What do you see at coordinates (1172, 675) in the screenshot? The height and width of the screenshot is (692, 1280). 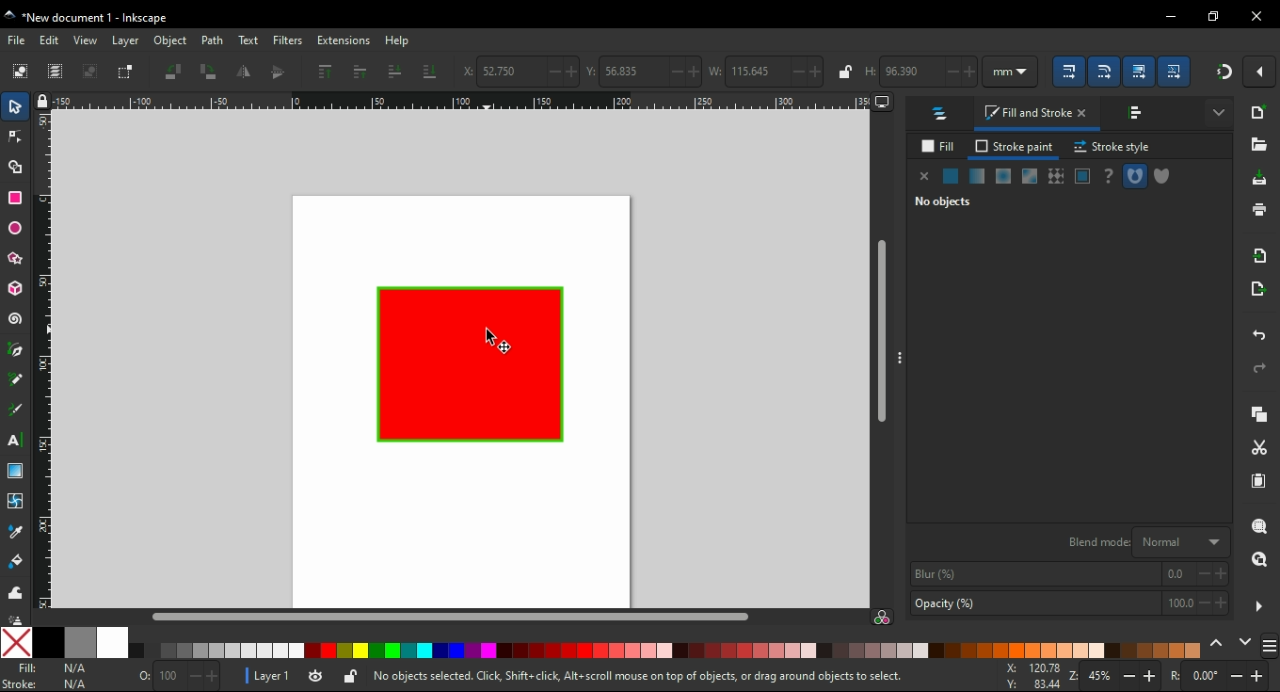 I see `rotation` at bounding box center [1172, 675].